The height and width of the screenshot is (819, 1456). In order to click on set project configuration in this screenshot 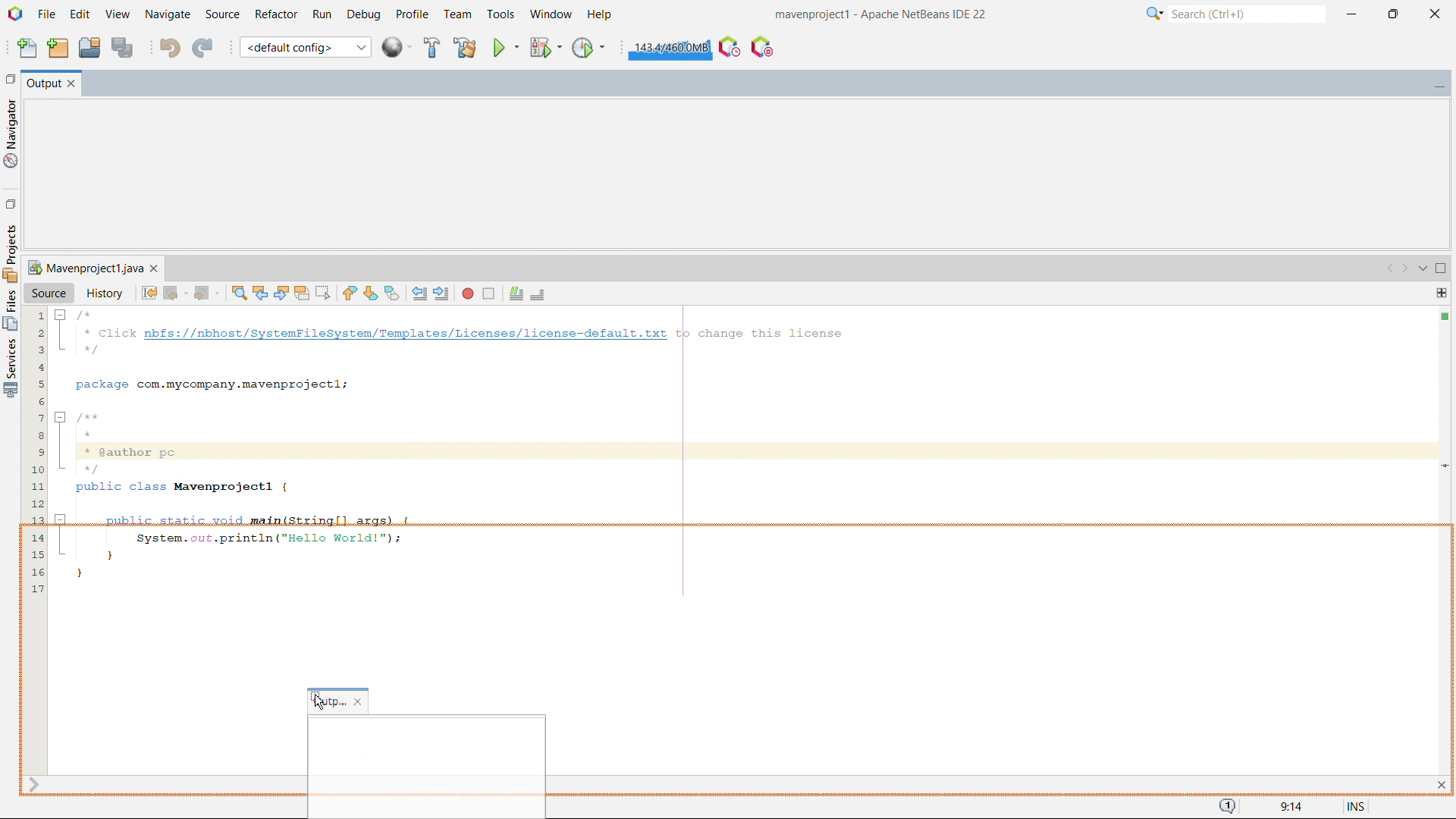, I will do `click(305, 46)`.